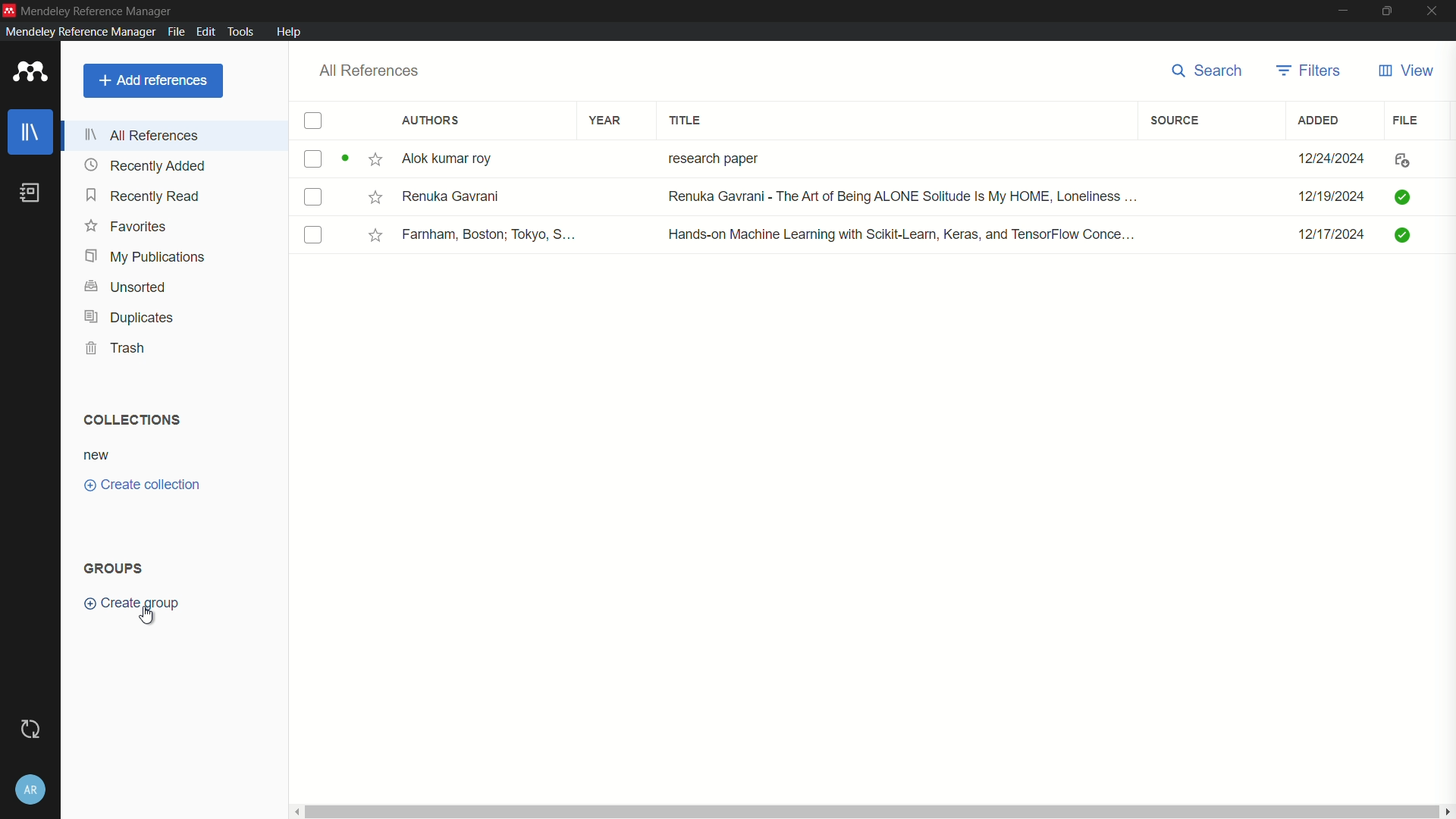 The height and width of the screenshot is (819, 1456). Describe the element at coordinates (77, 32) in the screenshot. I see `app name` at that location.